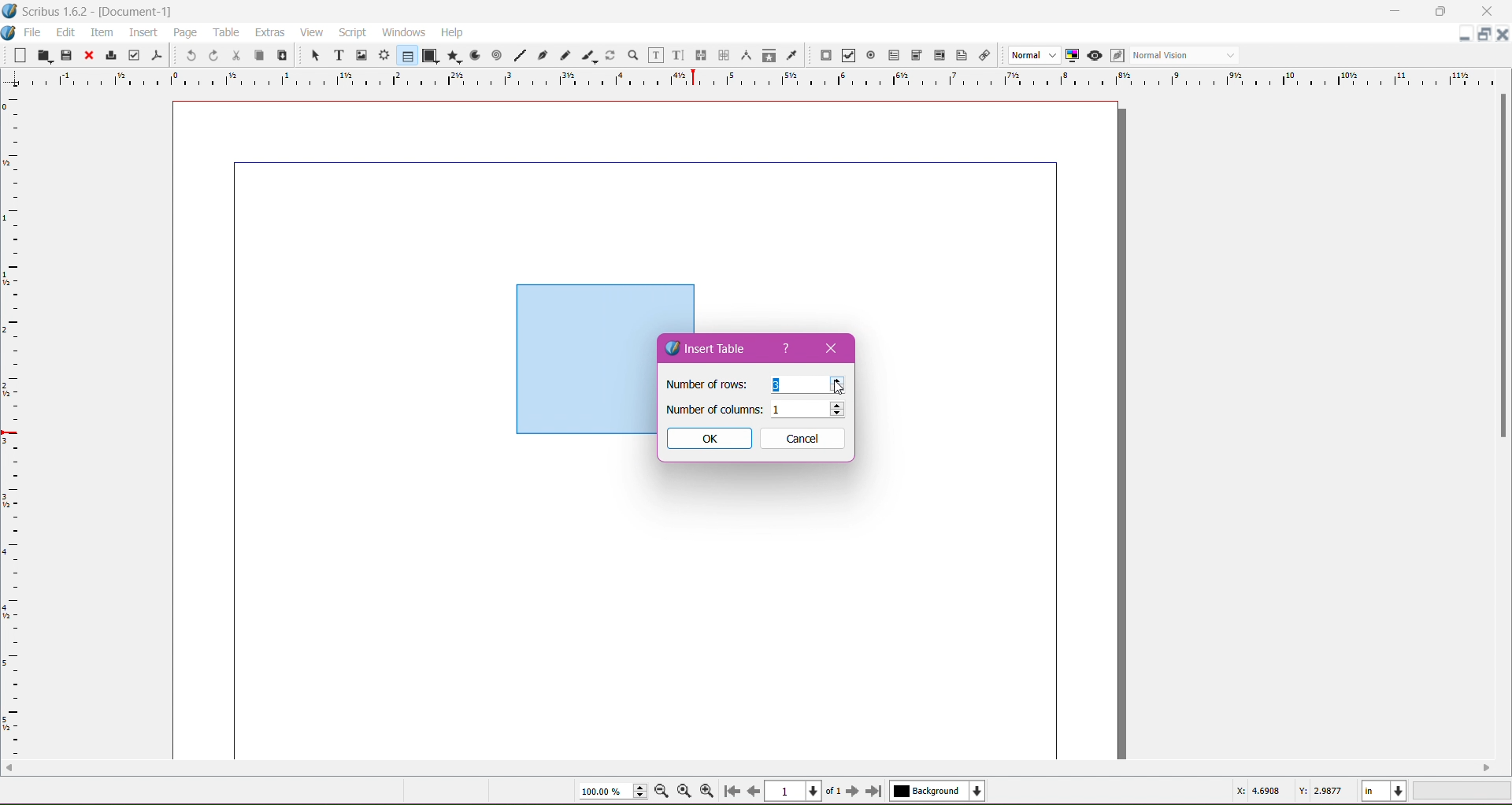 Image resolution: width=1512 pixels, height=805 pixels. What do you see at coordinates (891, 56) in the screenshot?
I see `PDF Text Fields` at bounding box center [891, 56].